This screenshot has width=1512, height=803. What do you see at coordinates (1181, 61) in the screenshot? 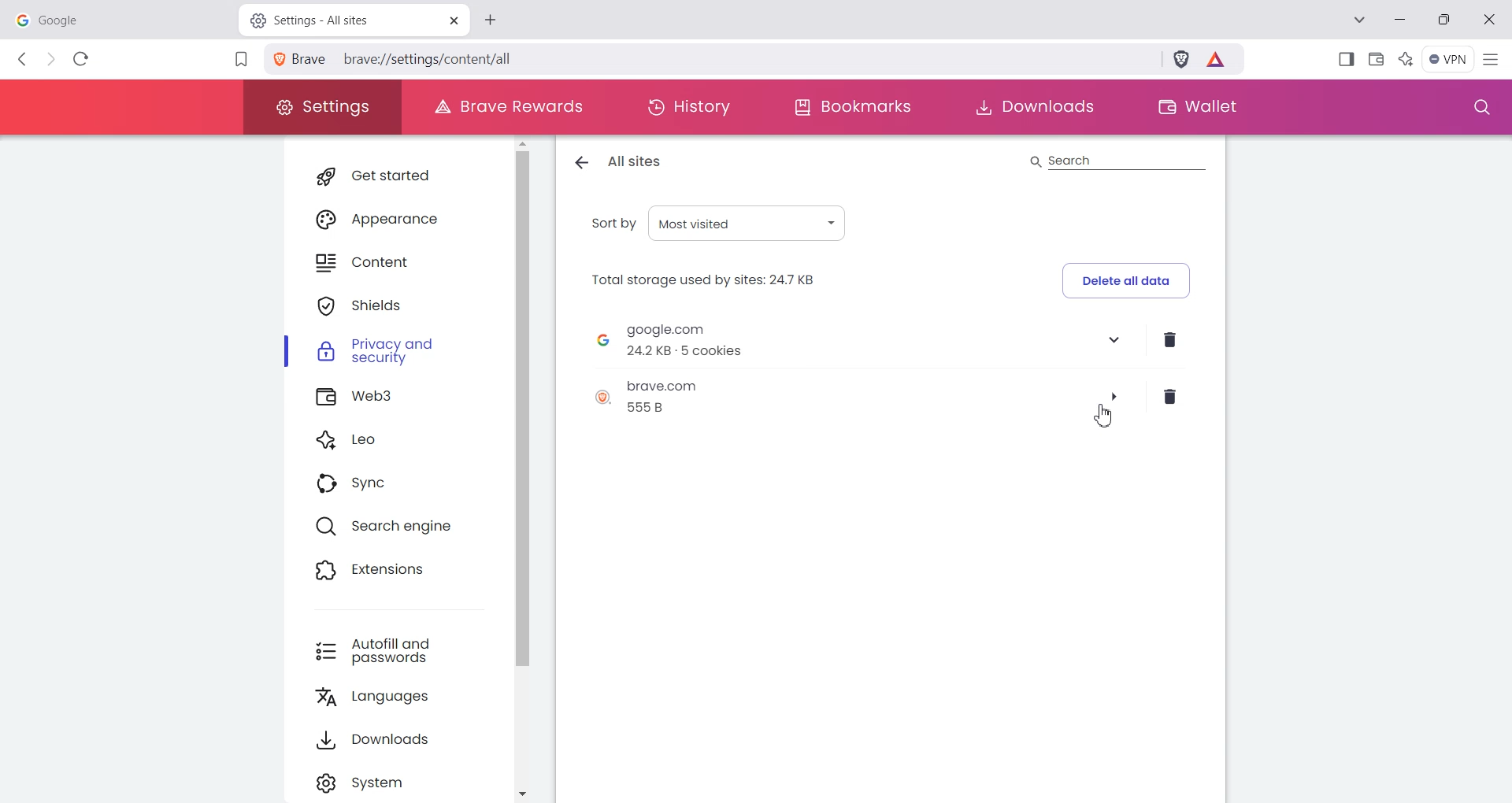
I see `Brave Shield` at bounding box center [1181, 61].